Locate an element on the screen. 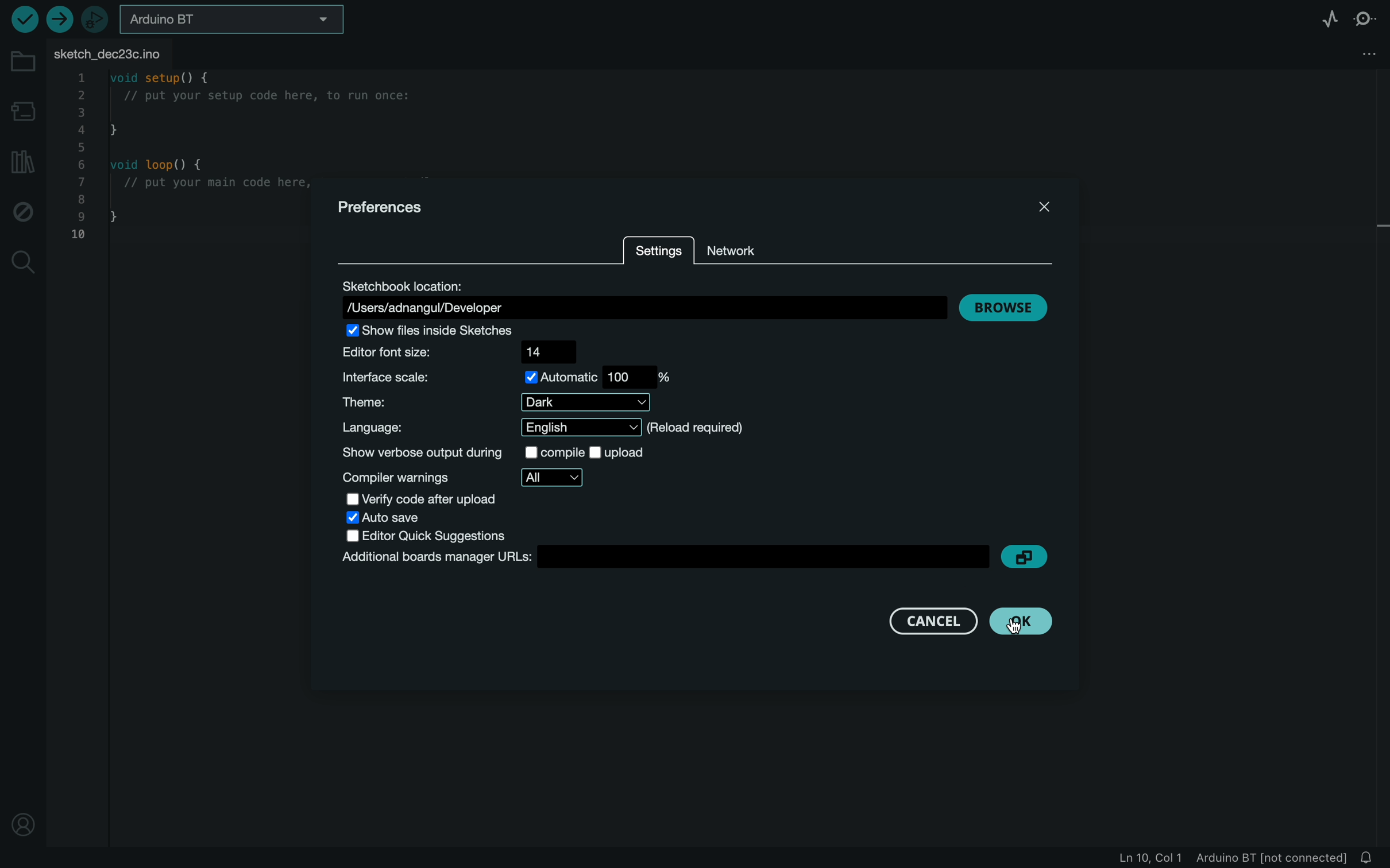  auto save is located at coordinates (406, 519).